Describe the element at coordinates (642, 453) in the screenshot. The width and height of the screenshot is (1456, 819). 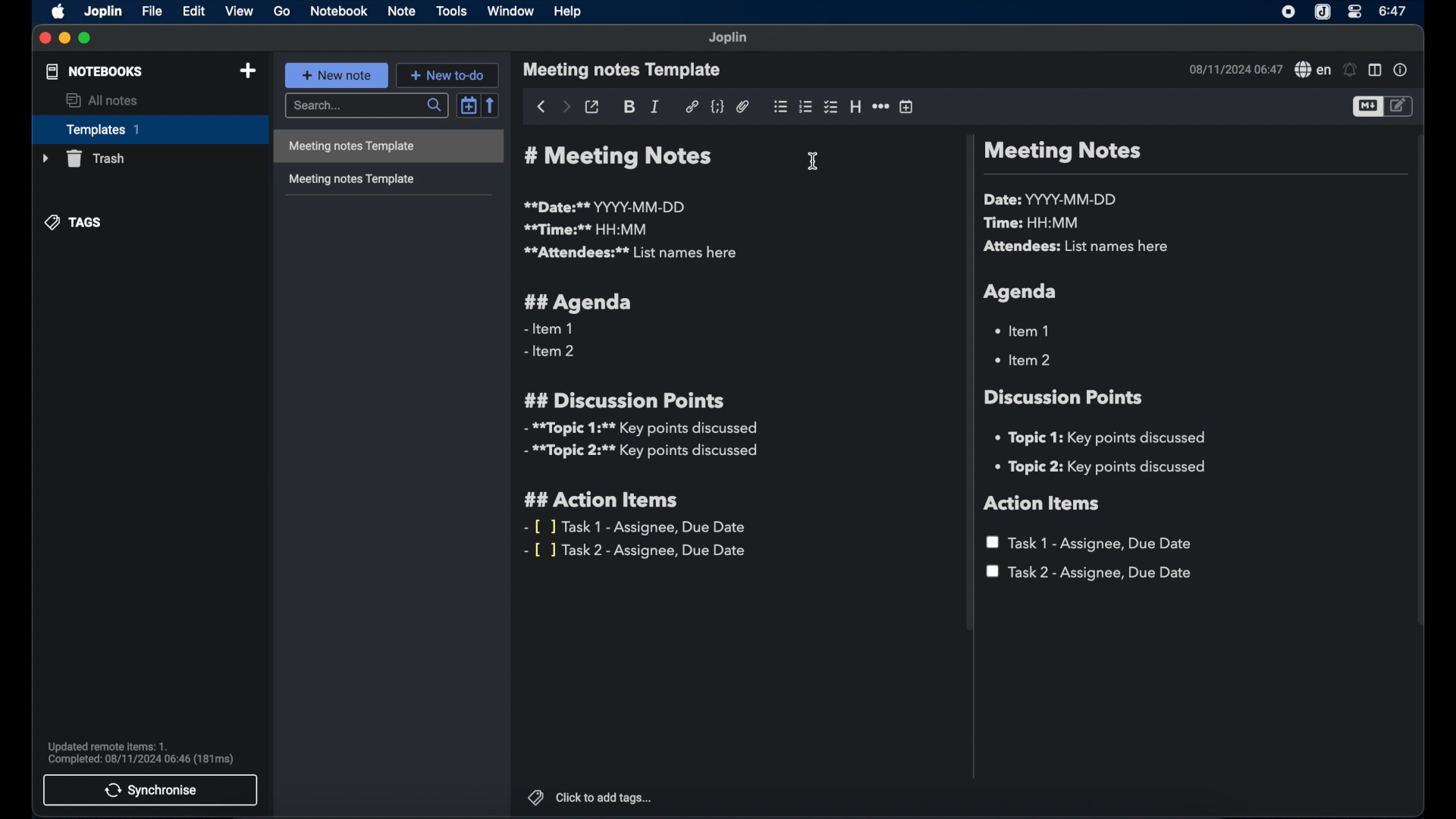
I see `**topic 2:** key points discussed` at that location.